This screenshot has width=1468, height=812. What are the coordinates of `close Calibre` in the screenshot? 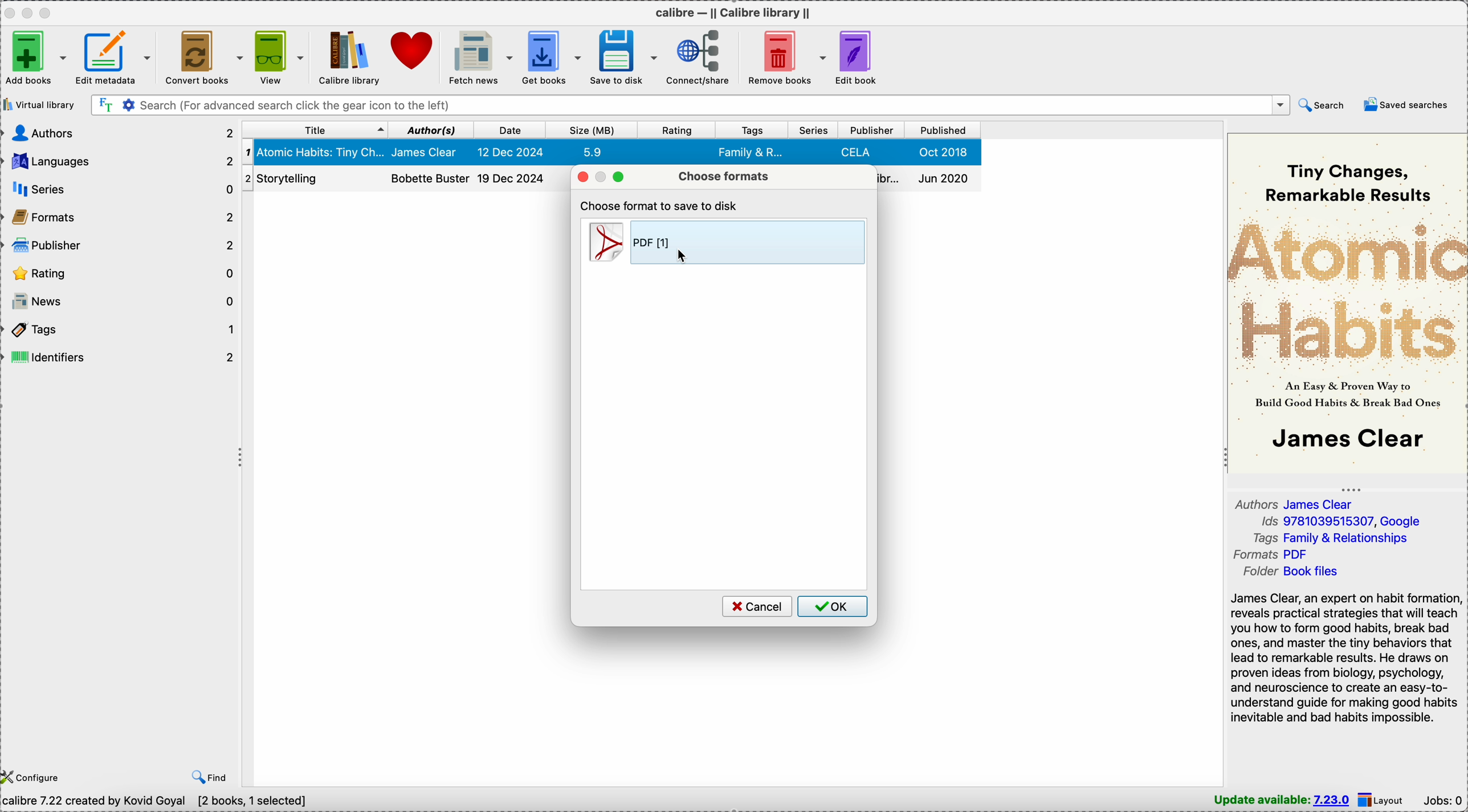 It's located at (9, 12).